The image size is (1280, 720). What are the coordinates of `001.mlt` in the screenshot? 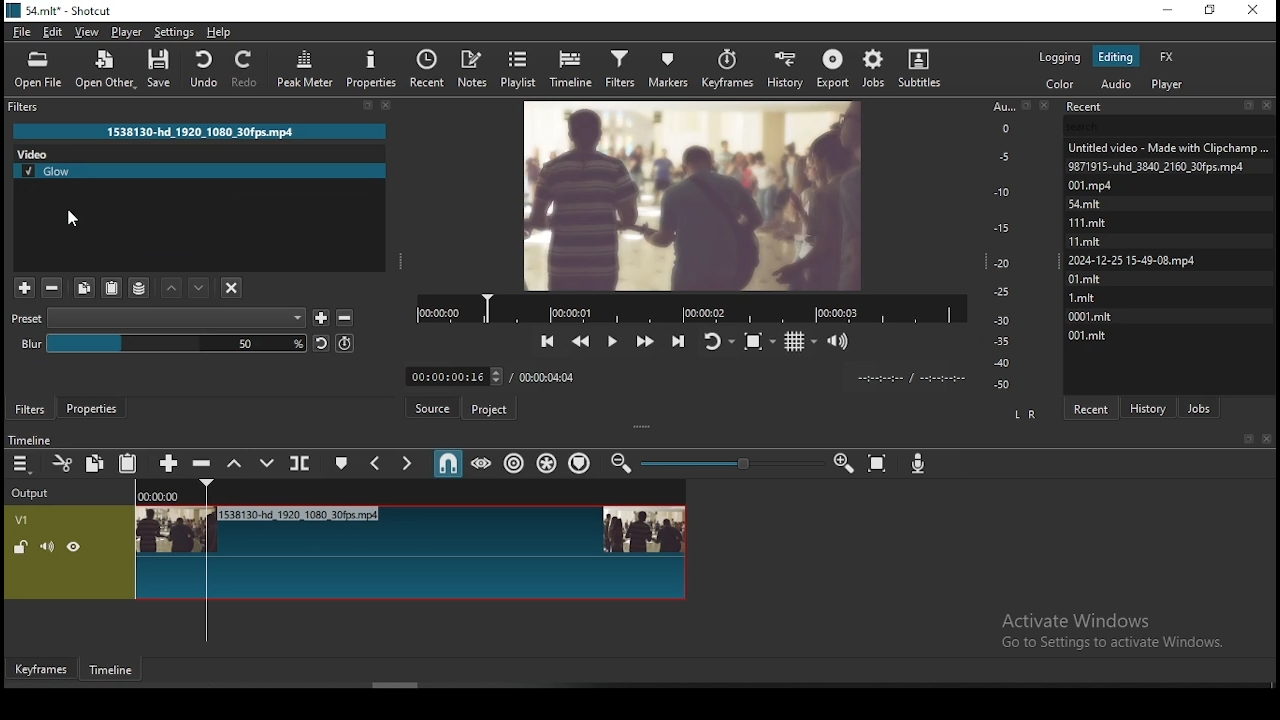 It's located at (1087, 335).